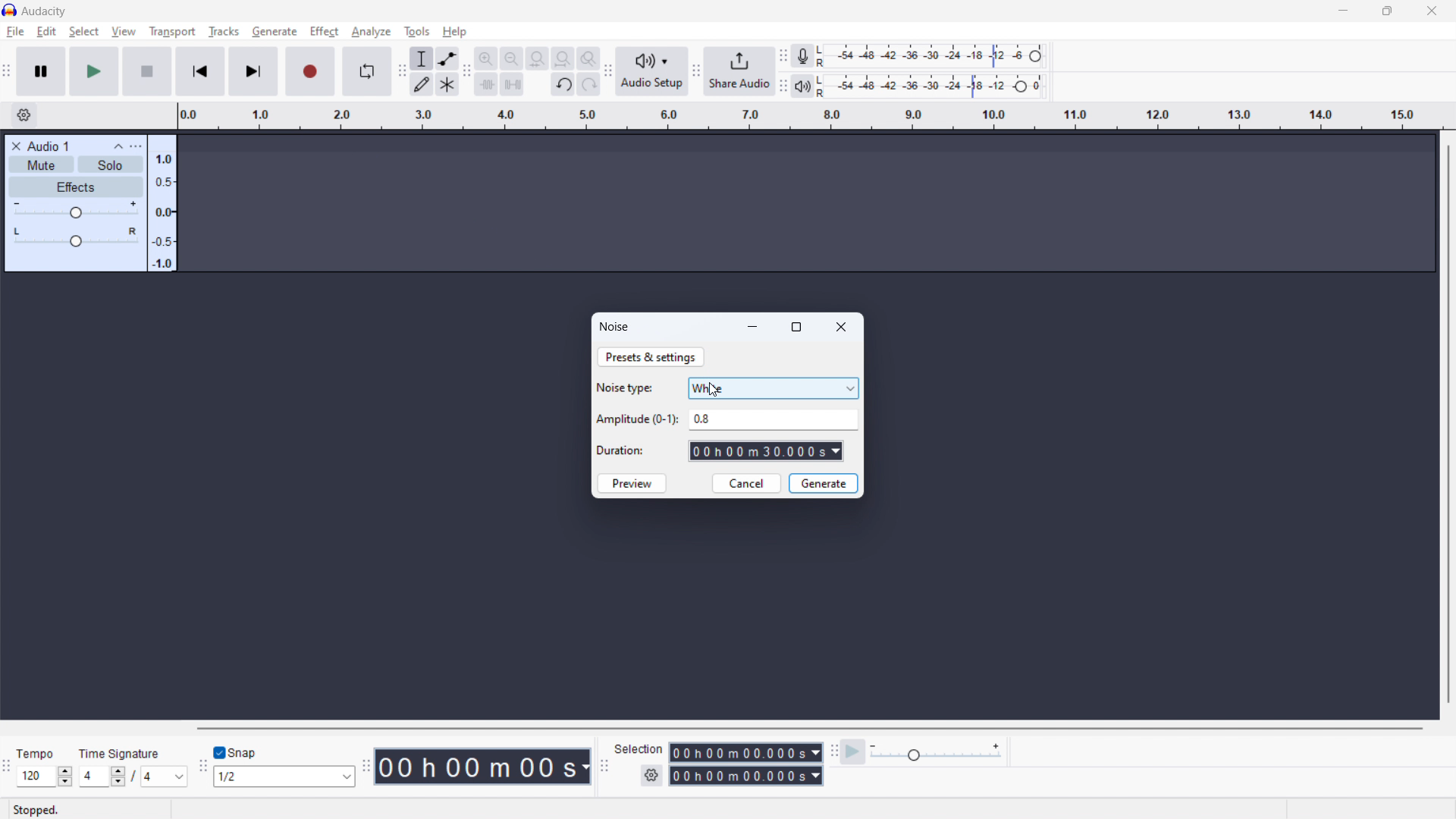 The height and width of the screenshot is (819, 1456). I want to click on recording meter, so click(930, 56).